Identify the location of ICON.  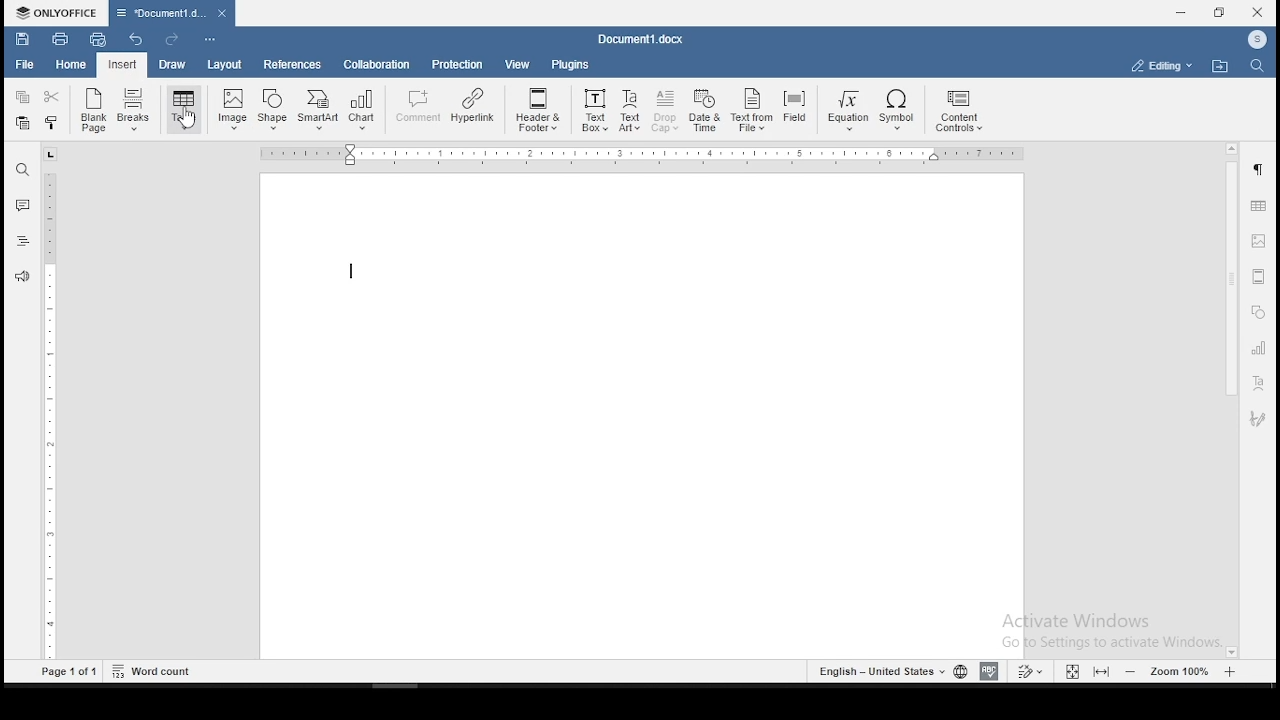
(1256, 41).